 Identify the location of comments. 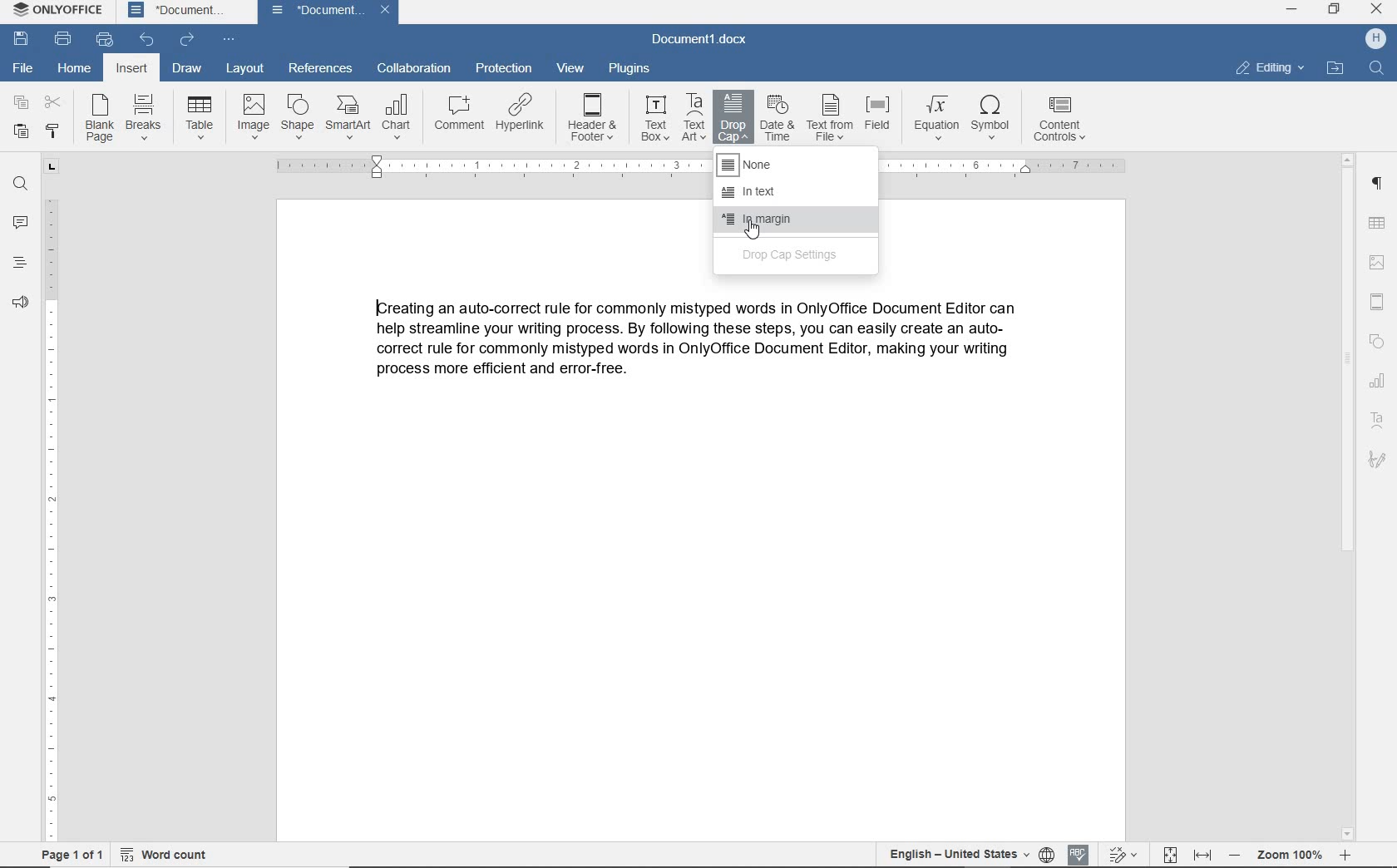
(18, 223).